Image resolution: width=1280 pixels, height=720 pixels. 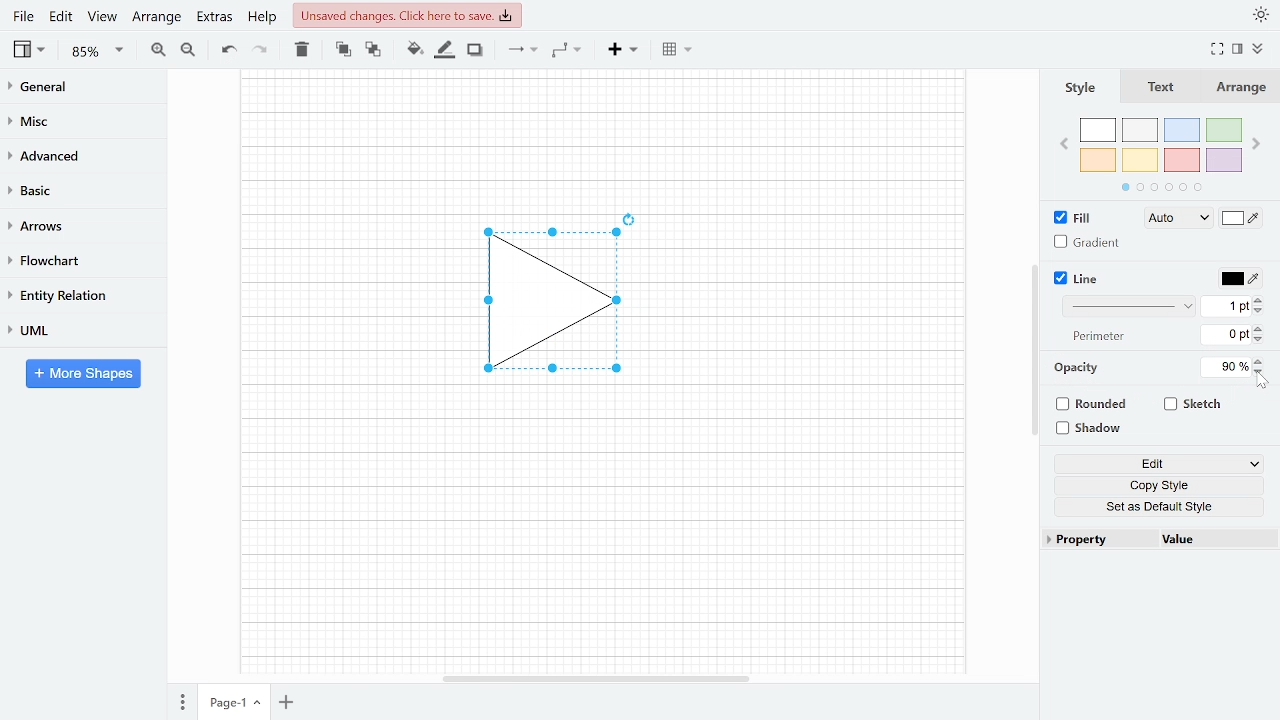 I want to click on Triangle, so click(x=563, y=307).